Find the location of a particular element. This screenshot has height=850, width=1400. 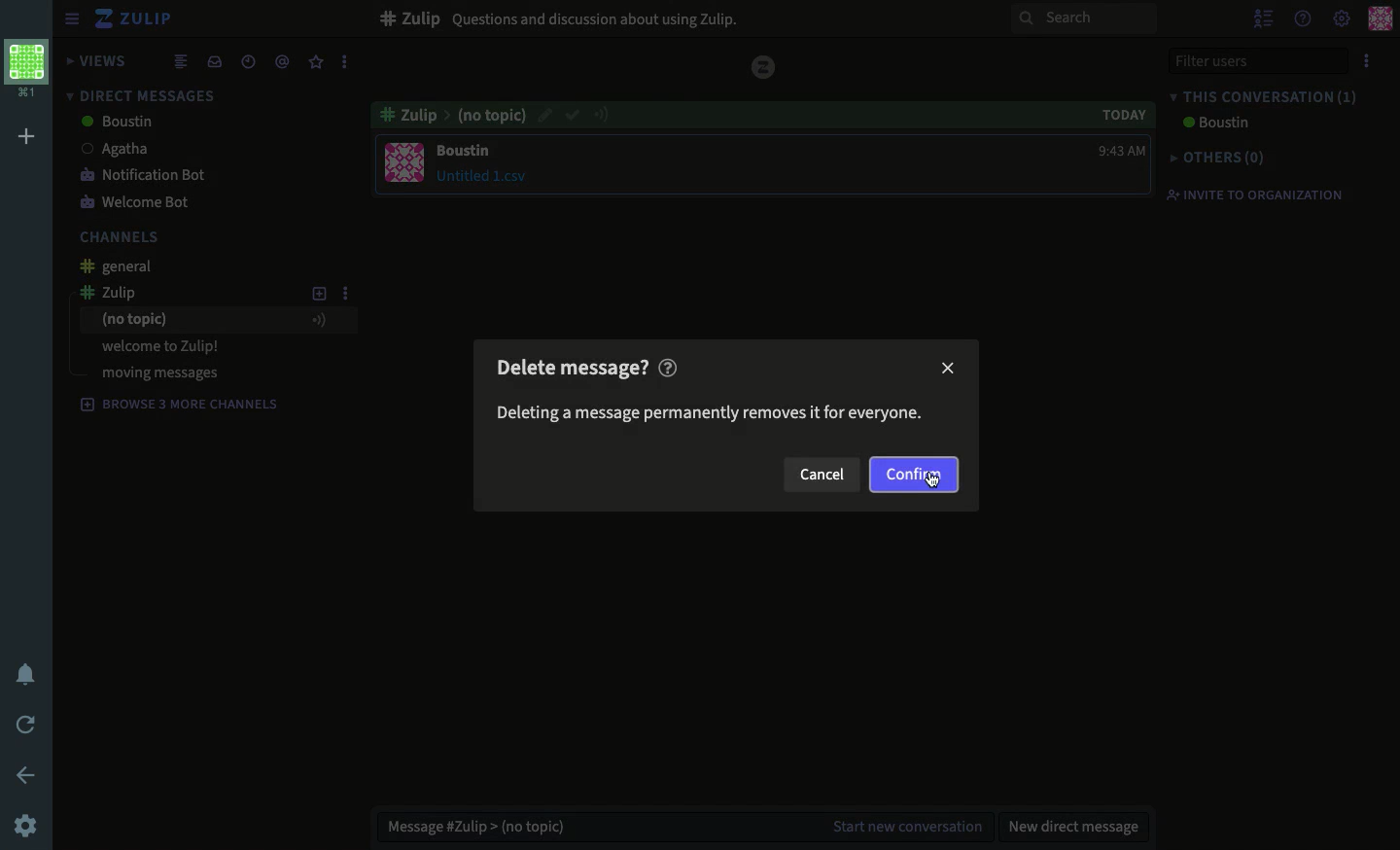

connection is located at coordinates (608, 121).